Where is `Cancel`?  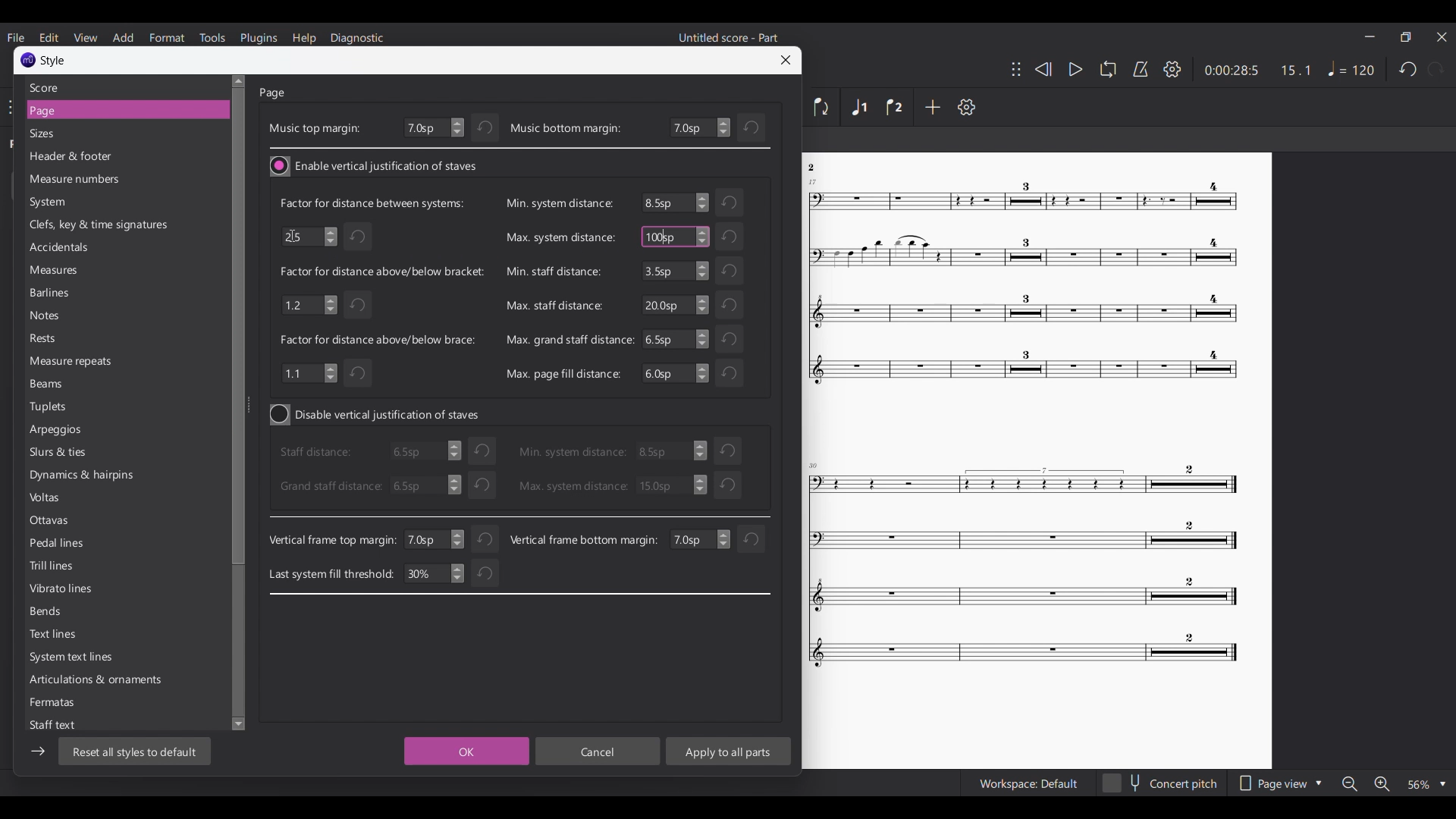
Cancel is located at coordinates (598, 752).